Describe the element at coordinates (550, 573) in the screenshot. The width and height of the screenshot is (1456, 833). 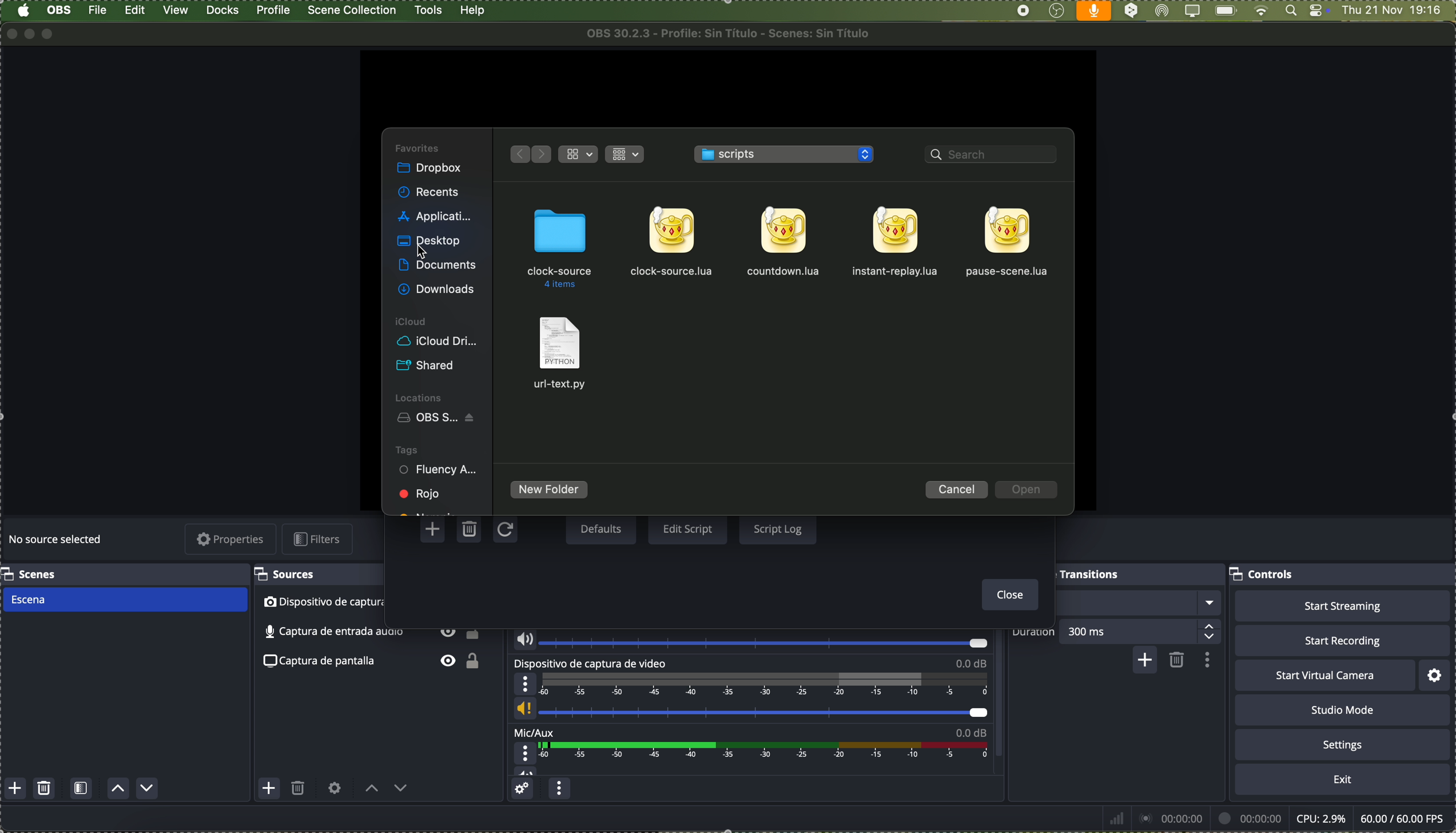
I see `audio mixer` at that location.